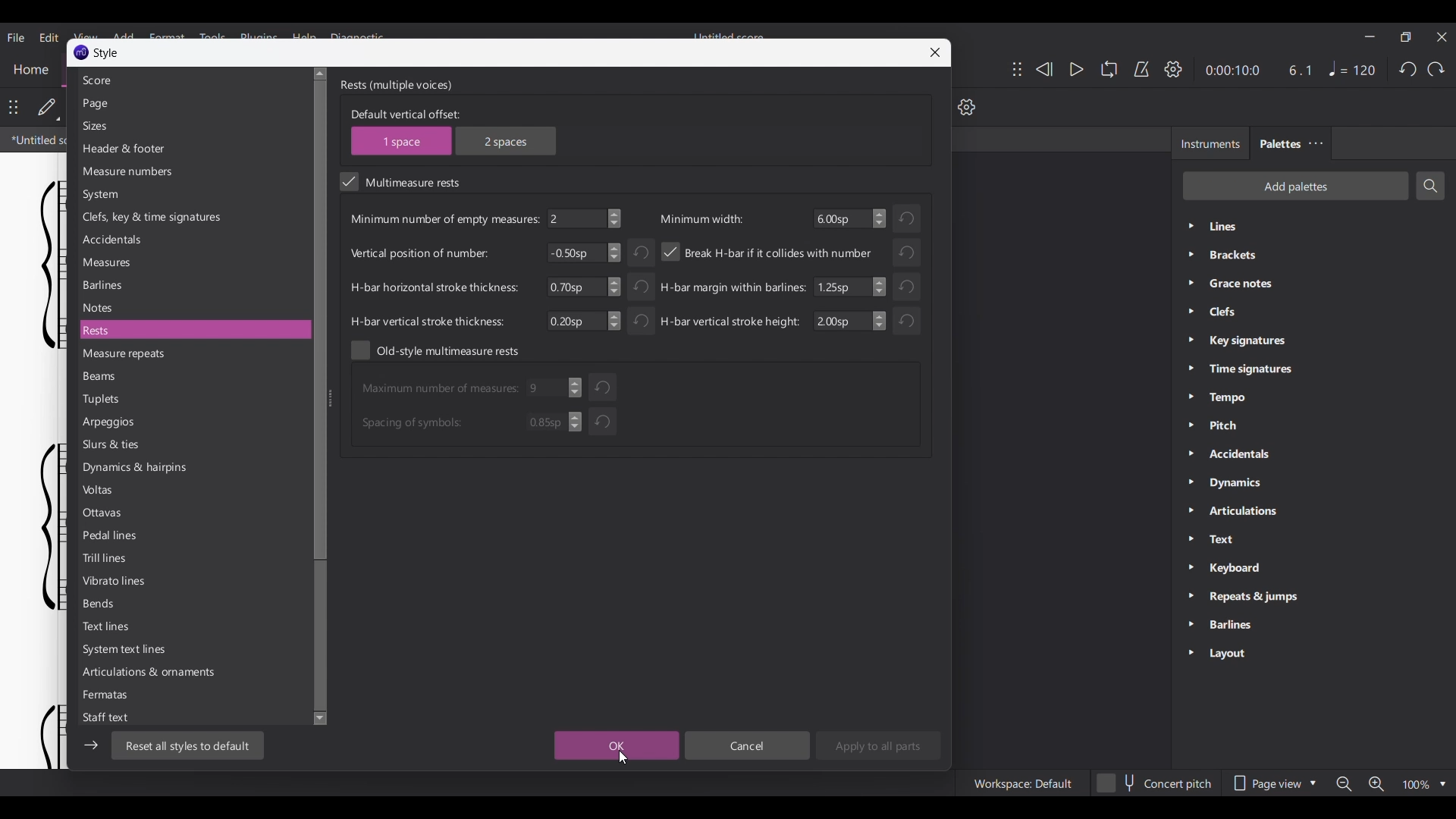  I want to click on 1 space vertical offset, so click(402, 140).